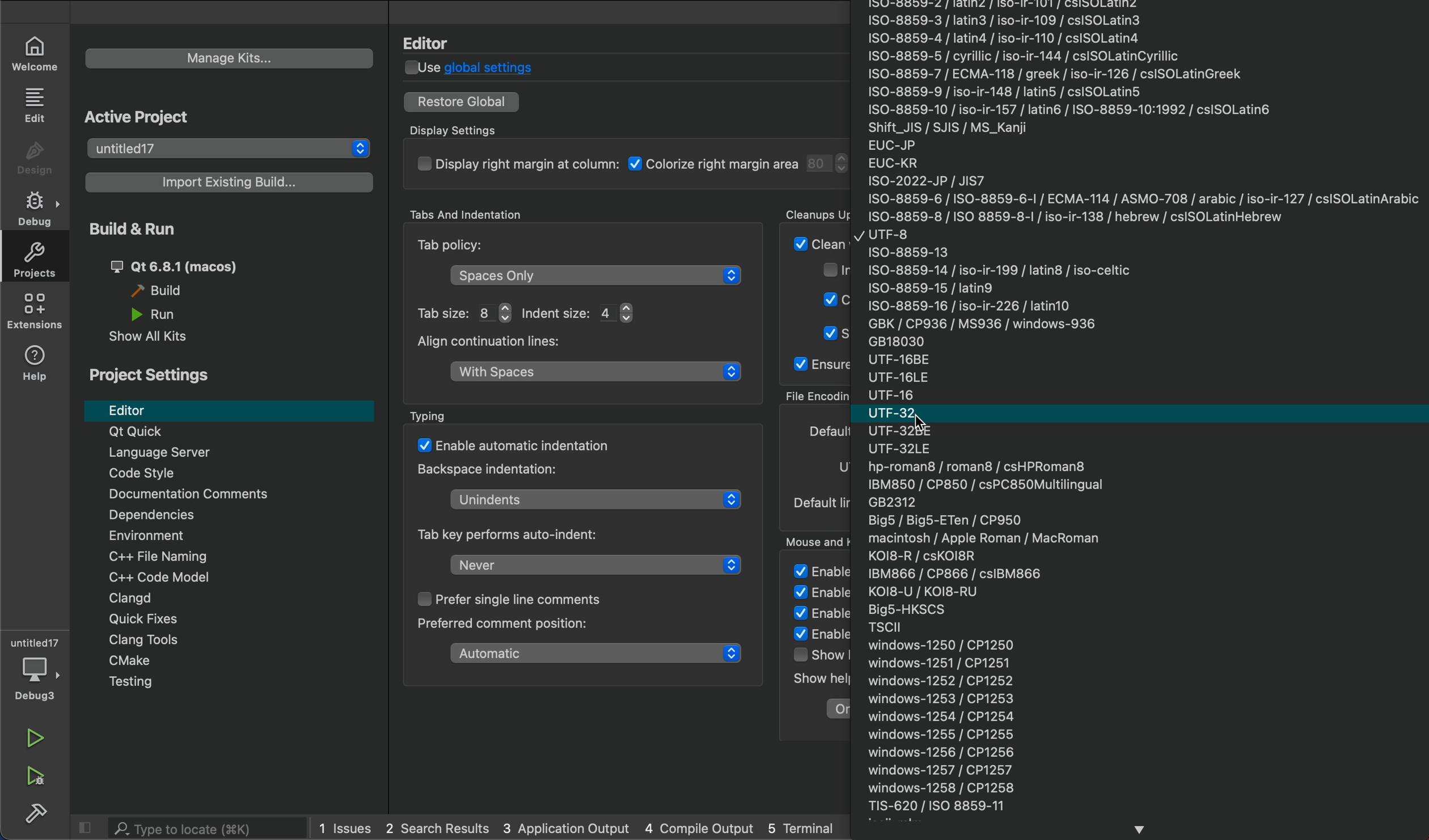 The width and height of the screenshot is (1429, 840). What do you see at coordinates (217, 662) in the screenshot?
I see `cmake` at bounding box center [217, 662].